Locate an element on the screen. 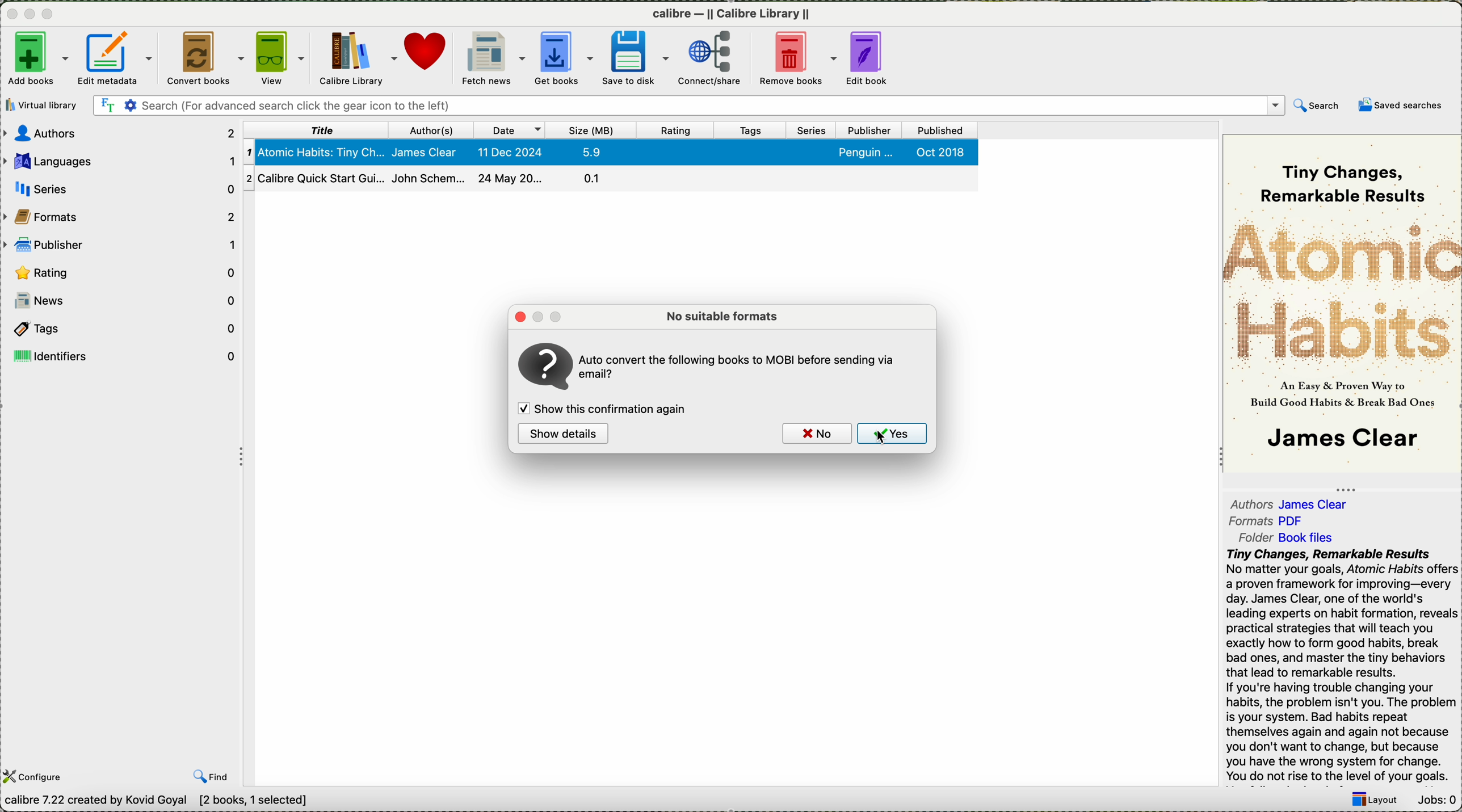 This screenshot has height=812, width=1462. show this confirmation again is located at coordinates (605, 410).